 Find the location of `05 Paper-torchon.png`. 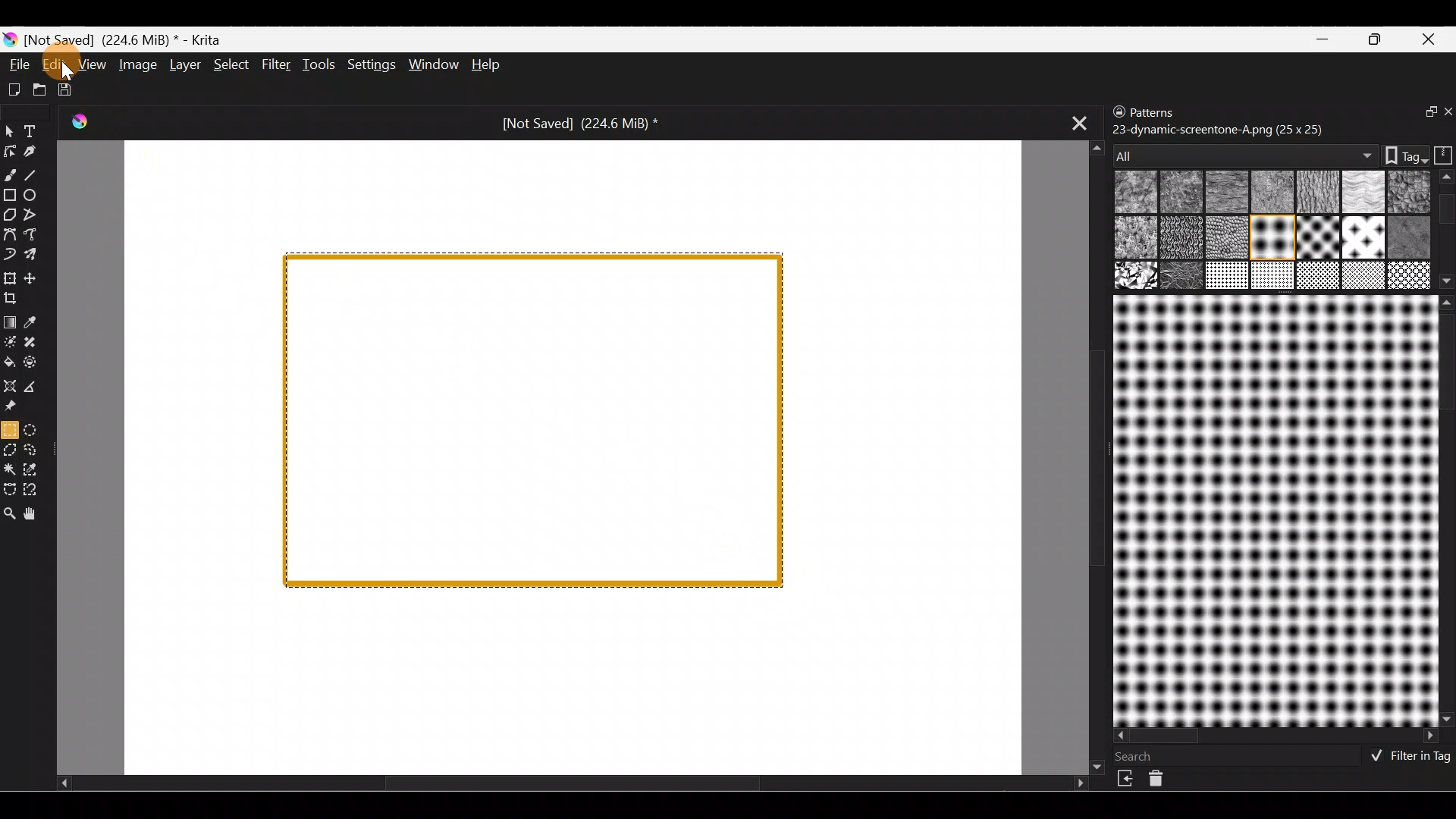

05 Paper-torchon.png is located at coordinates (1361, 193).